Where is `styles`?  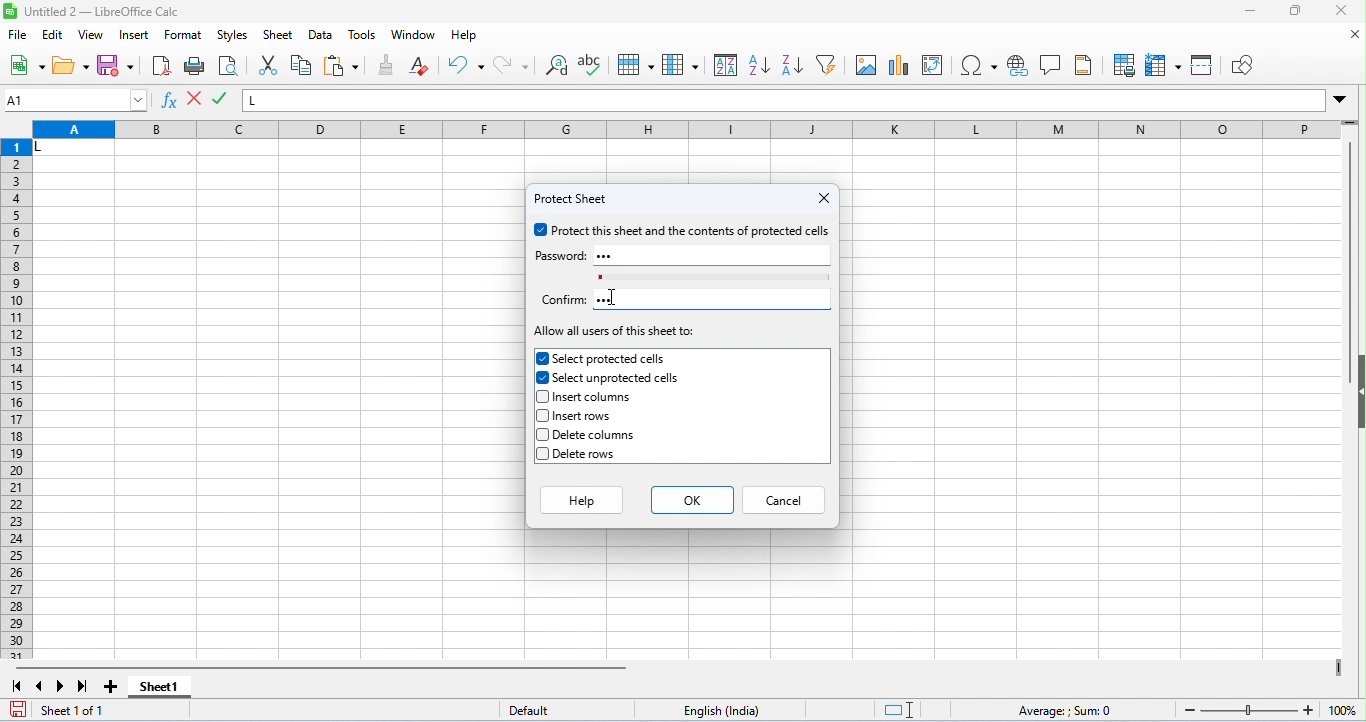 styles is located at coordinates (233, 36).